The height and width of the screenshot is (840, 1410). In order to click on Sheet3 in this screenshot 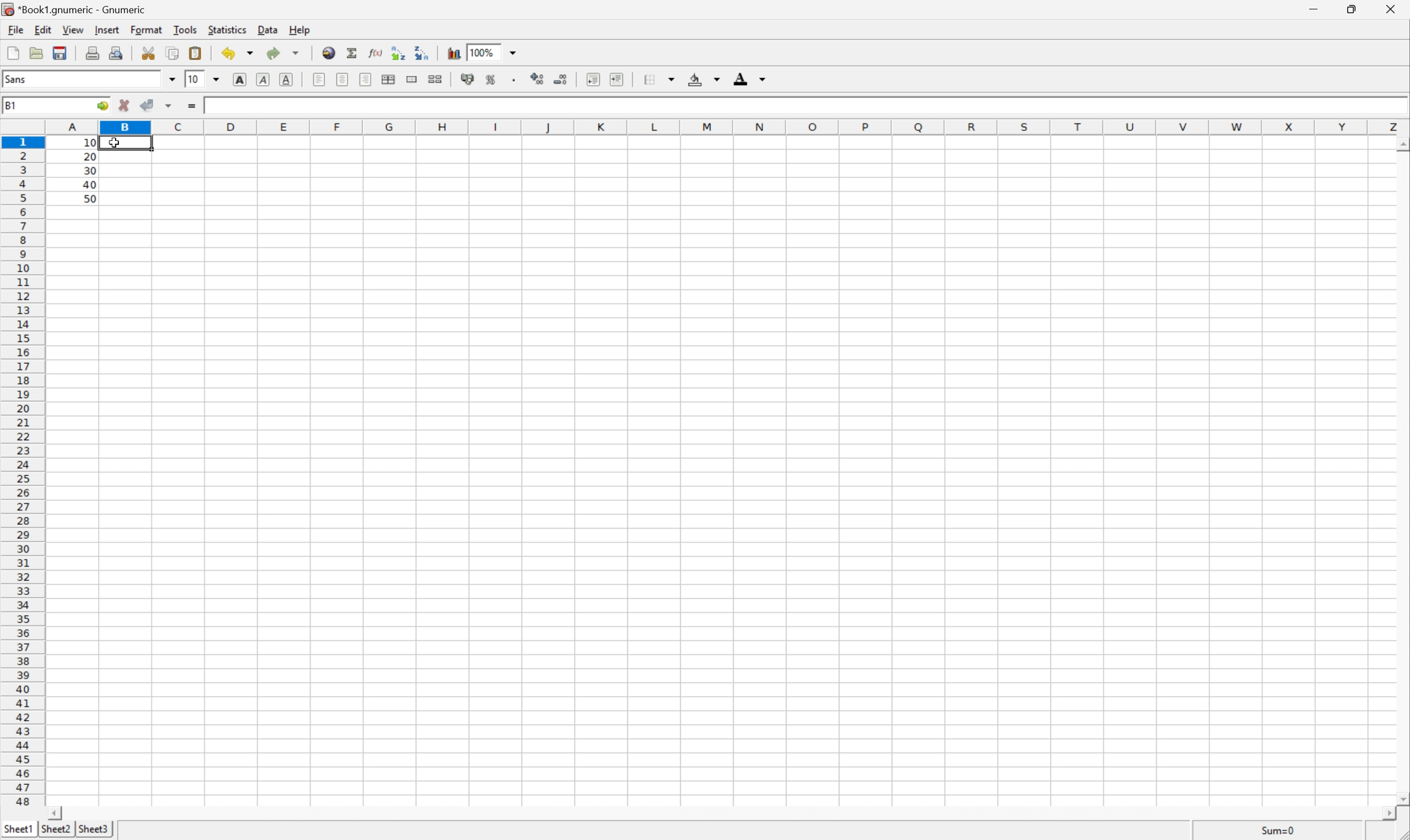, I will do `click(93, 830)`.